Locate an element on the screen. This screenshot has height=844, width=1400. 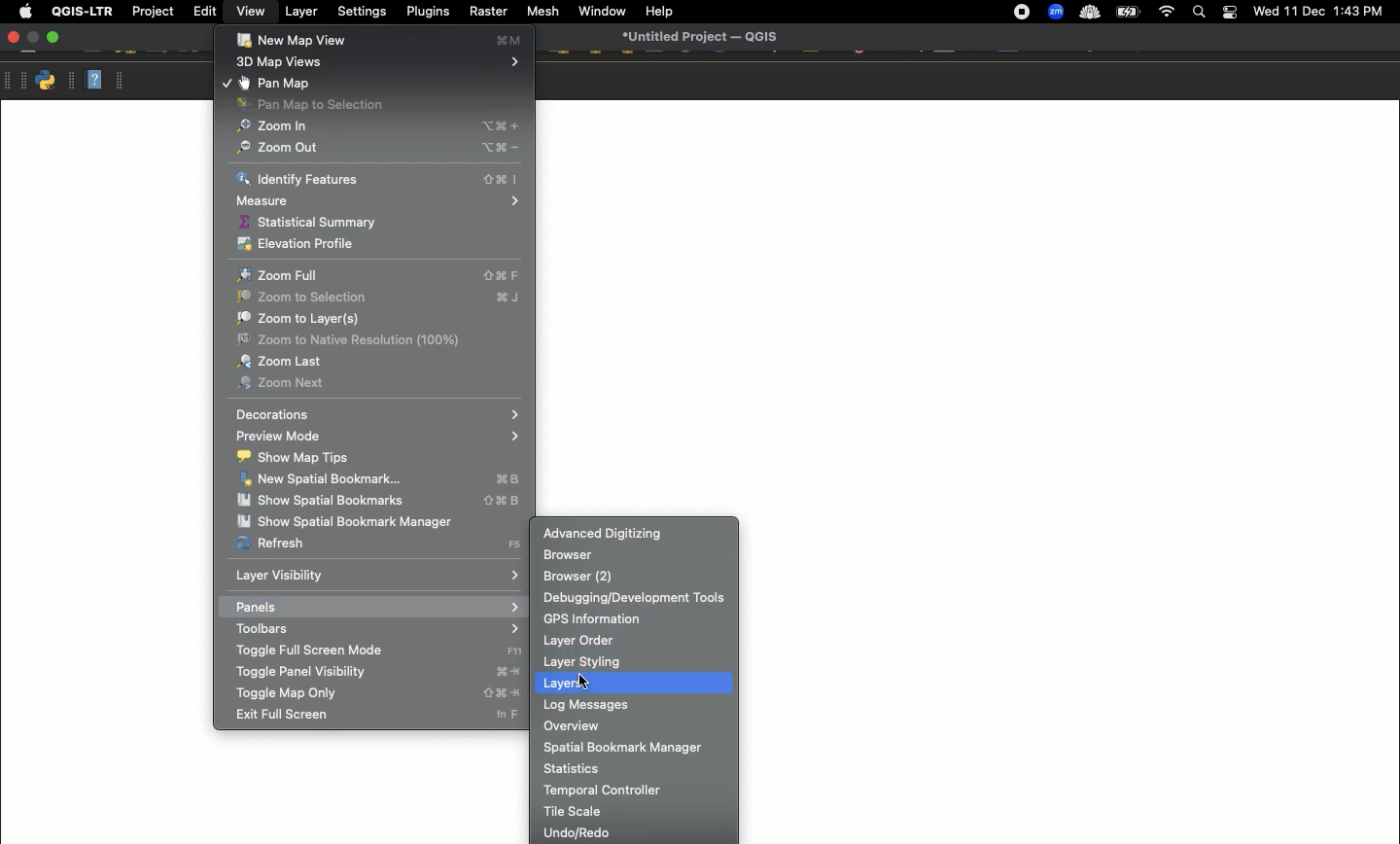
Search is located at coordinates (1197, 14).